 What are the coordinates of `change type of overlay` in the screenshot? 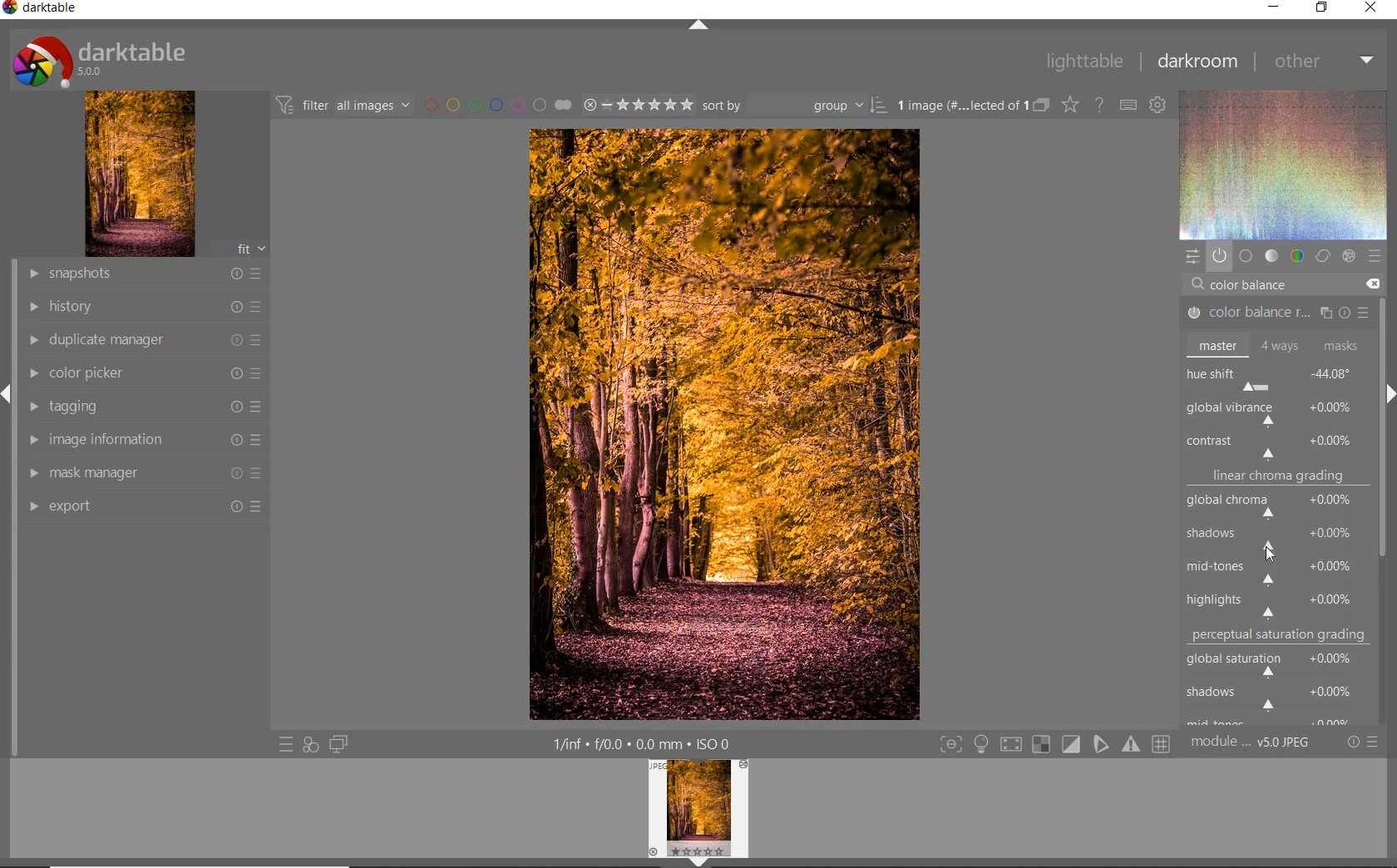 It's located at (1069, 106).